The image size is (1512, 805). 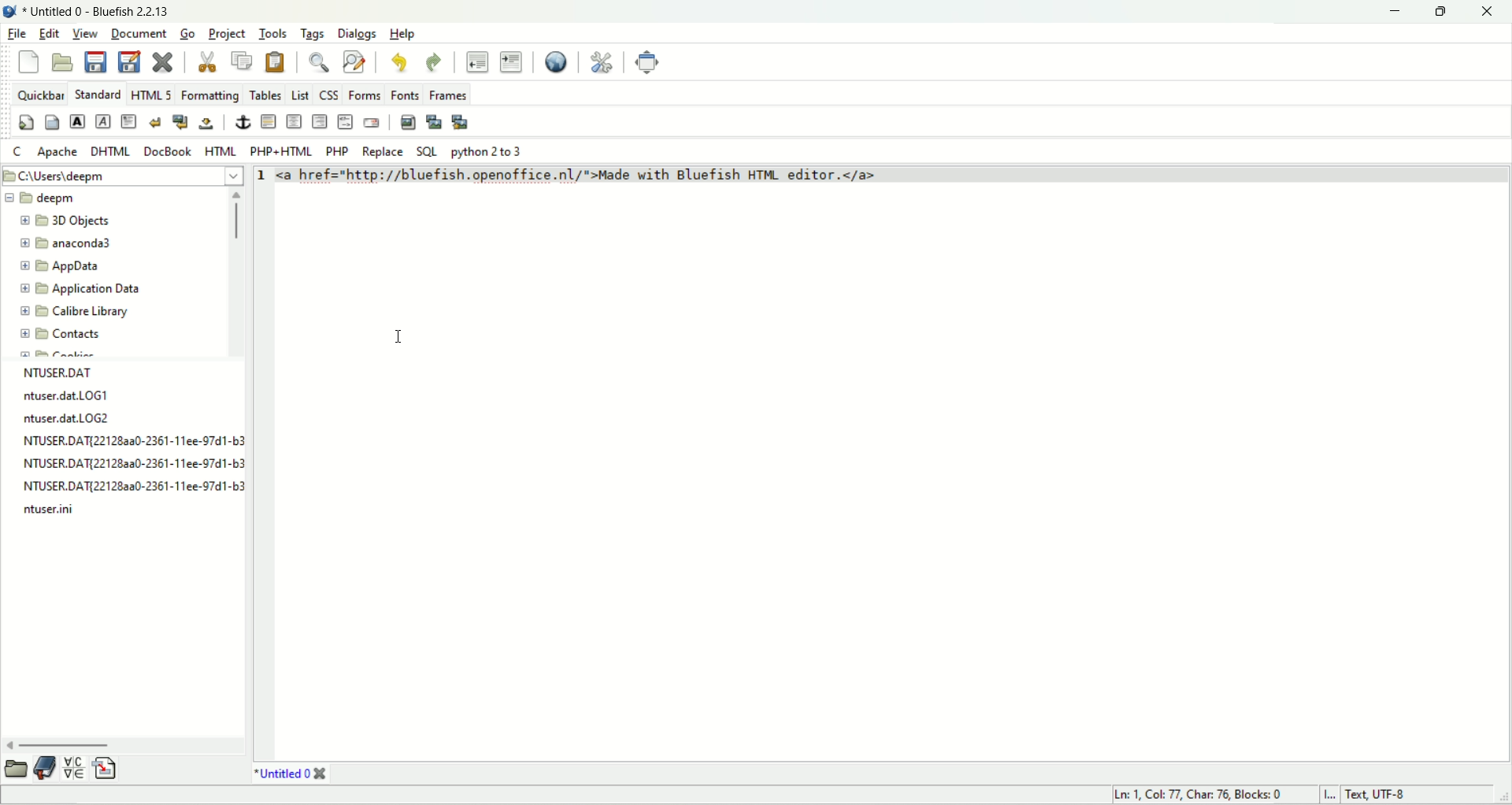 What do you see at coordinates (242, 121) in the screenshot?
I see `anchor/hyperlink` at bounding box center [242, 121].